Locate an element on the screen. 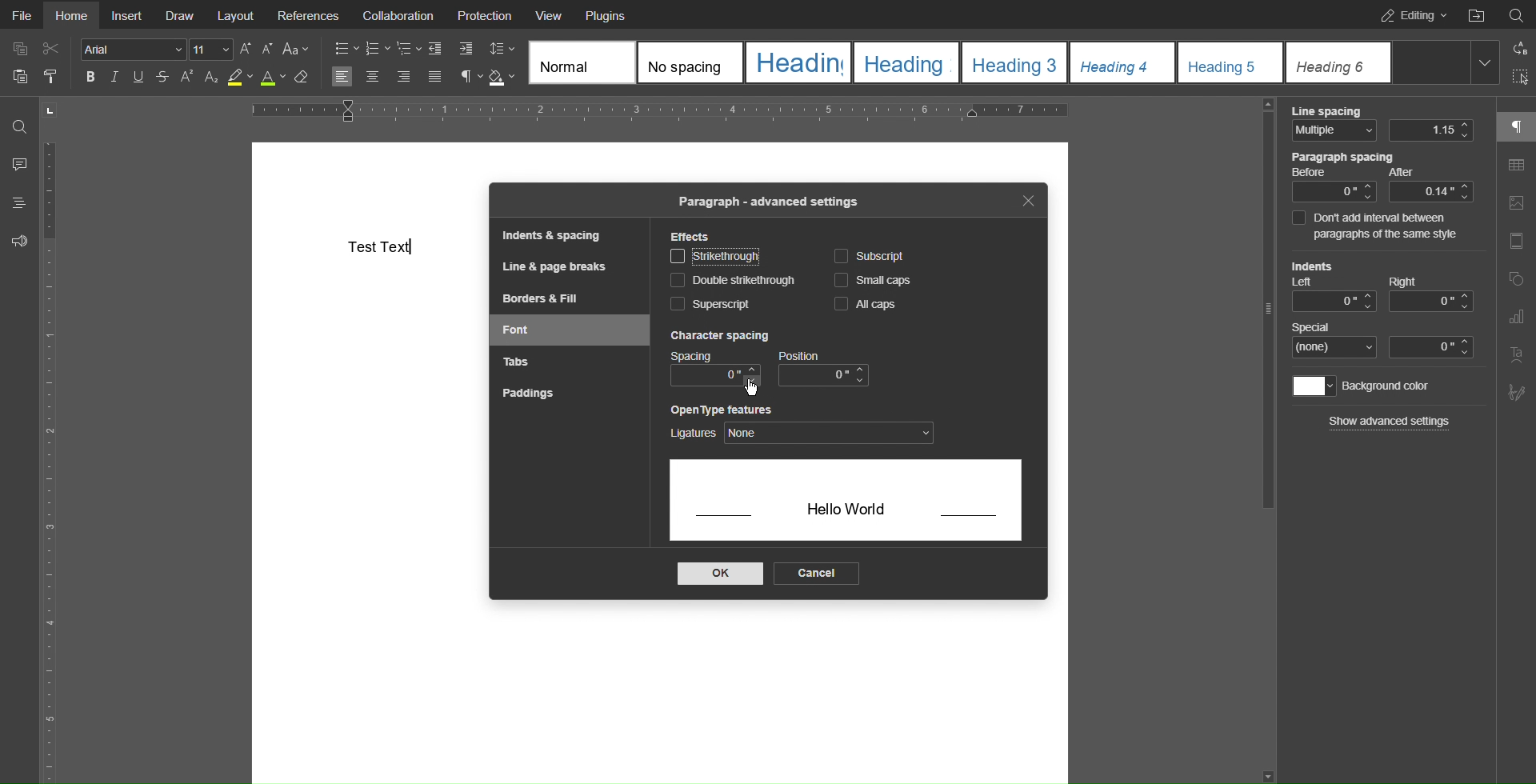 The width and height of the screenshot is (1536, 784). Horizontal Ruler is located at coordinates (659, 111).